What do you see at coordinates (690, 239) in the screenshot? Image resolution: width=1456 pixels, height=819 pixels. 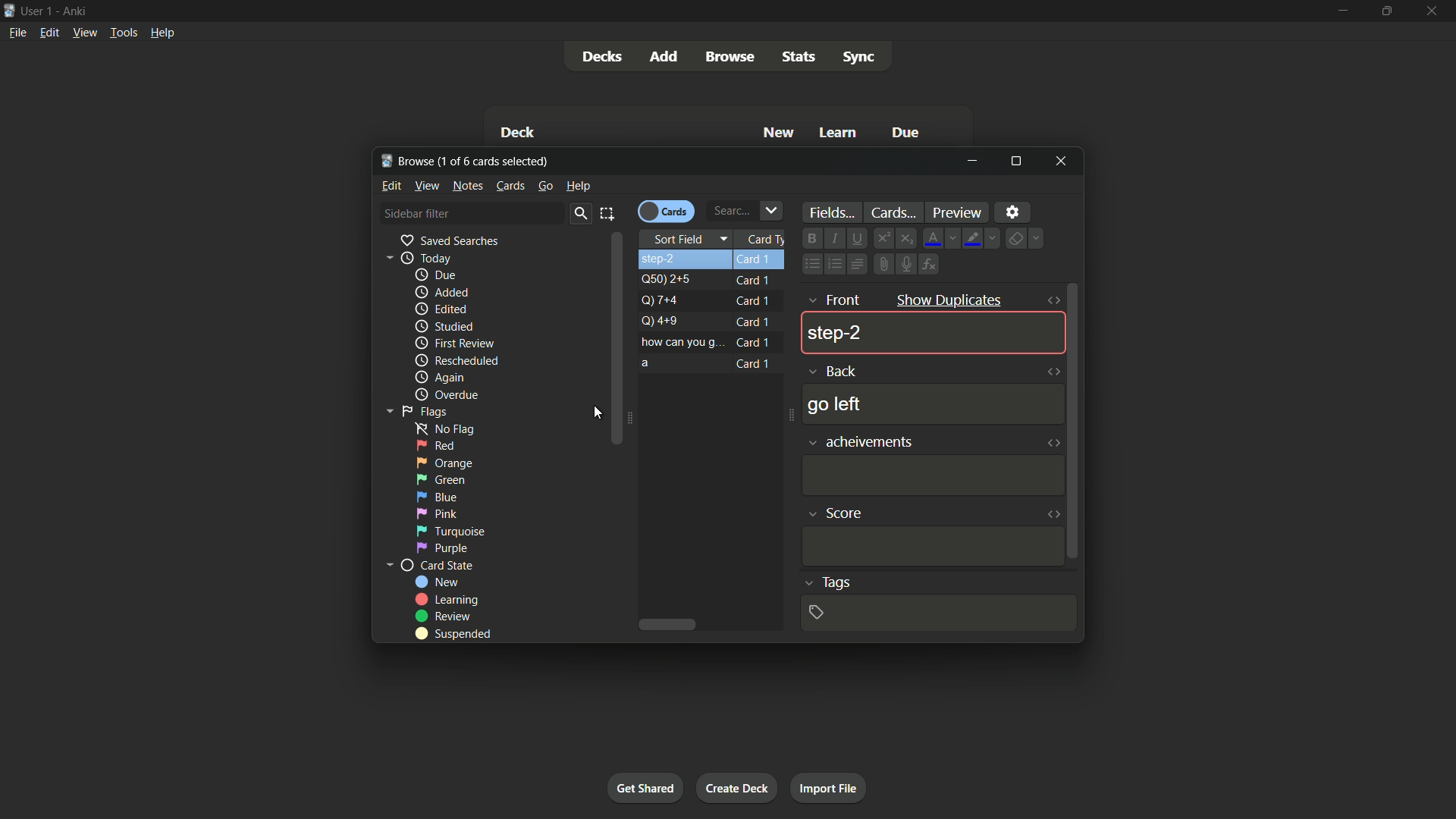 I see `Sort fields` at bounding box center [690, 239].